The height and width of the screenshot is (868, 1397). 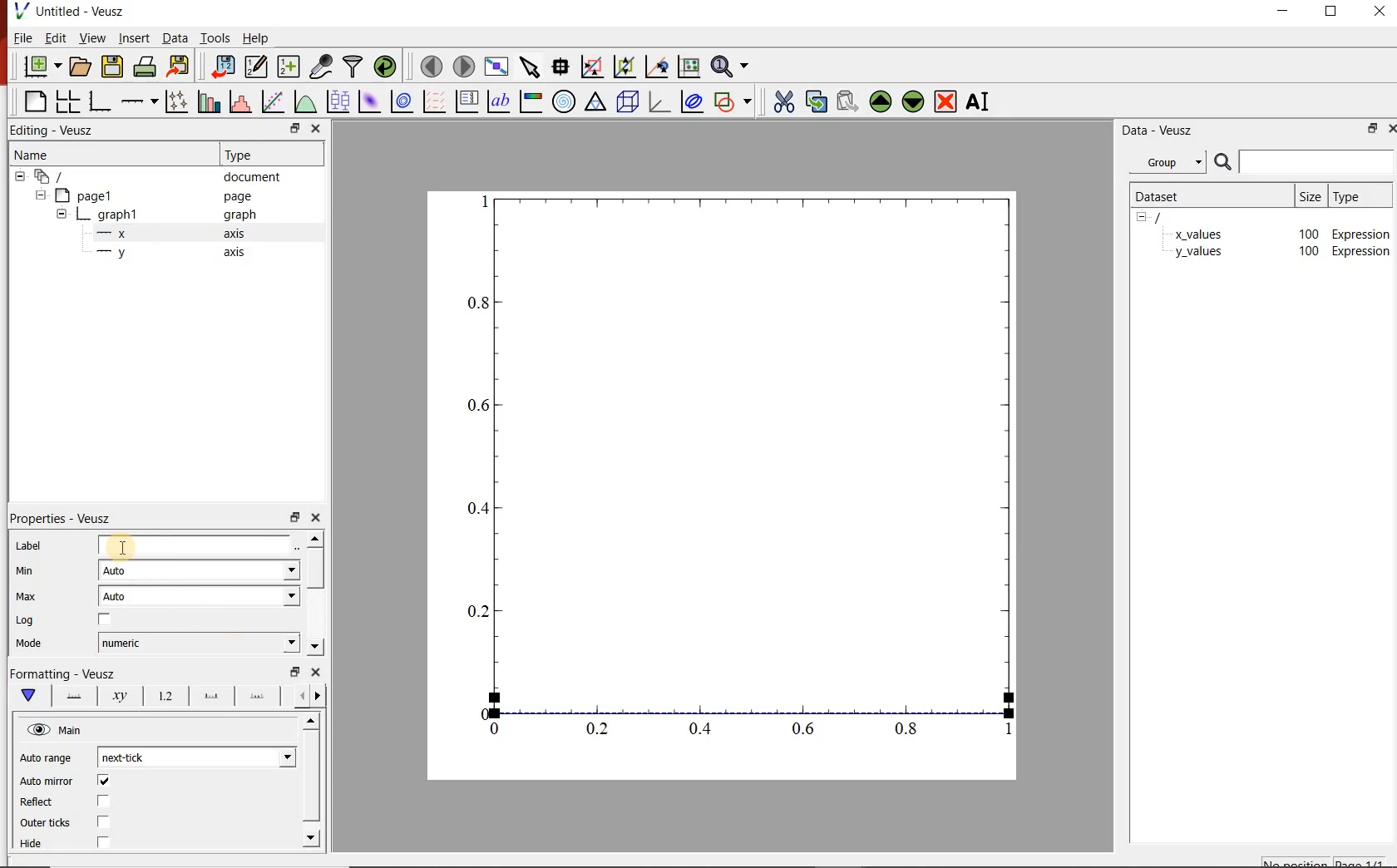 I want to click on plot key, so click(x=468, y=101).